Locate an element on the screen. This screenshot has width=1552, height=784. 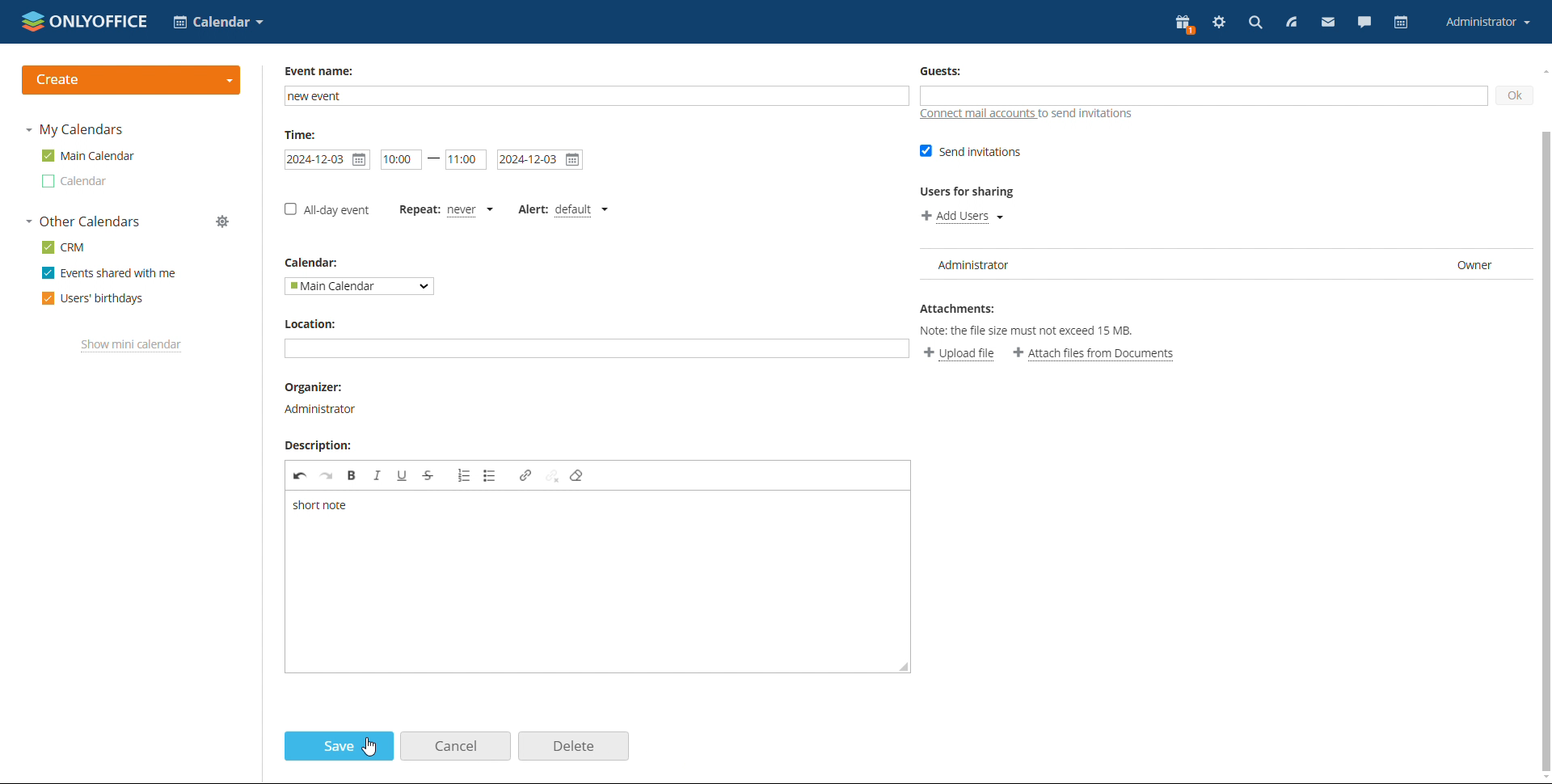
undo is located at coordinates (298, 478).